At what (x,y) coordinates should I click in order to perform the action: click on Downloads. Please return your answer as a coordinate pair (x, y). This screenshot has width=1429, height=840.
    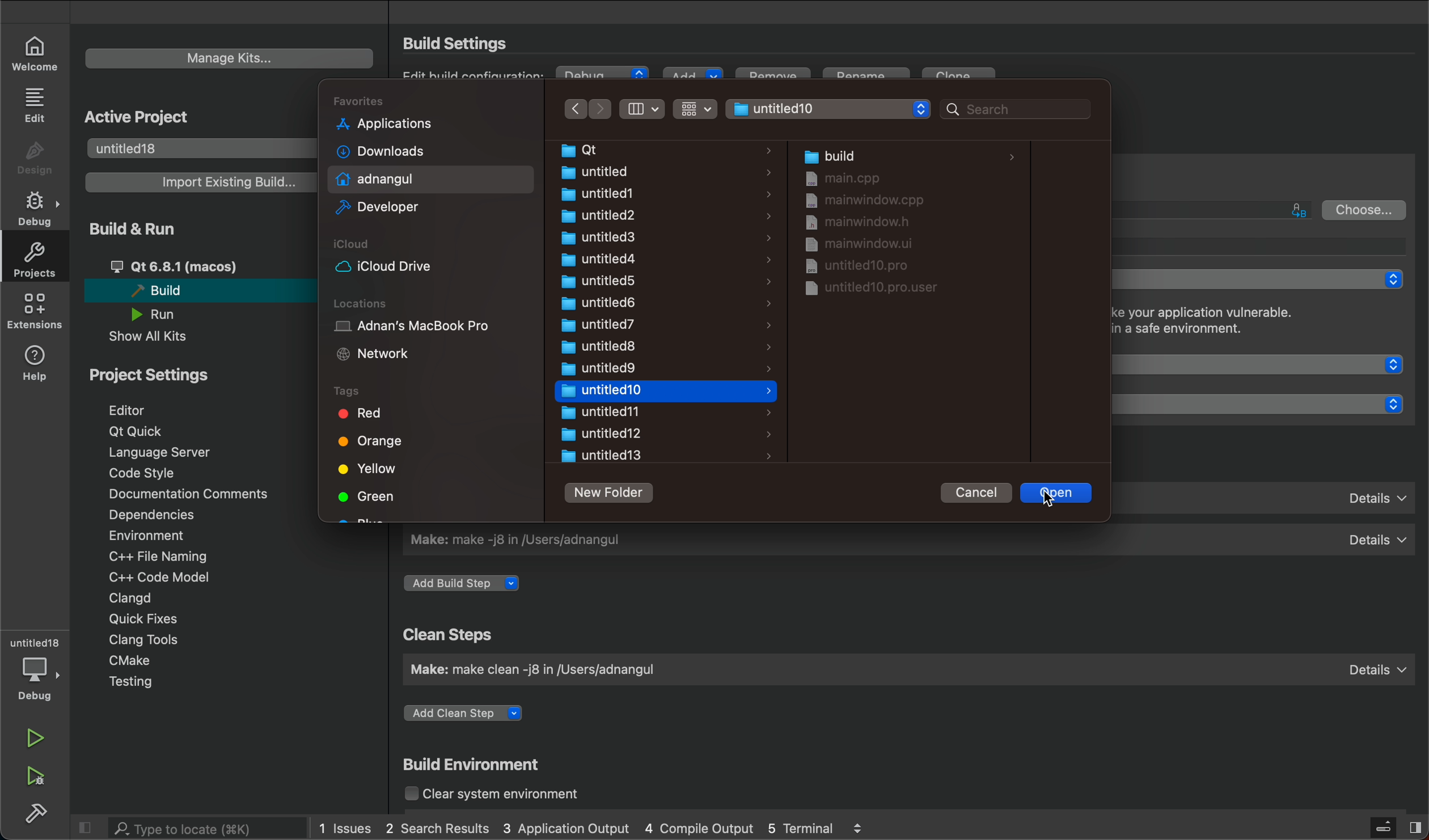
    Looking at the image, I should click on (377, 149).